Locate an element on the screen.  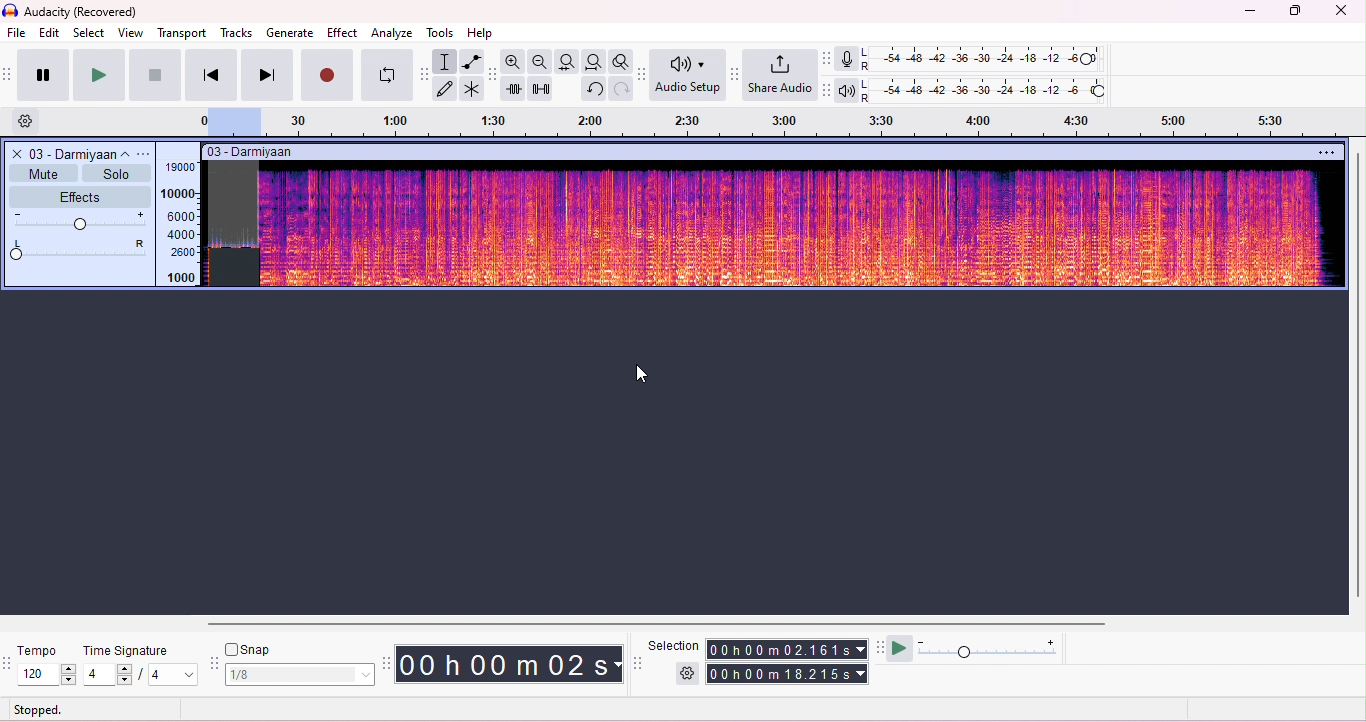
selection is located at coordinates (447, 62).